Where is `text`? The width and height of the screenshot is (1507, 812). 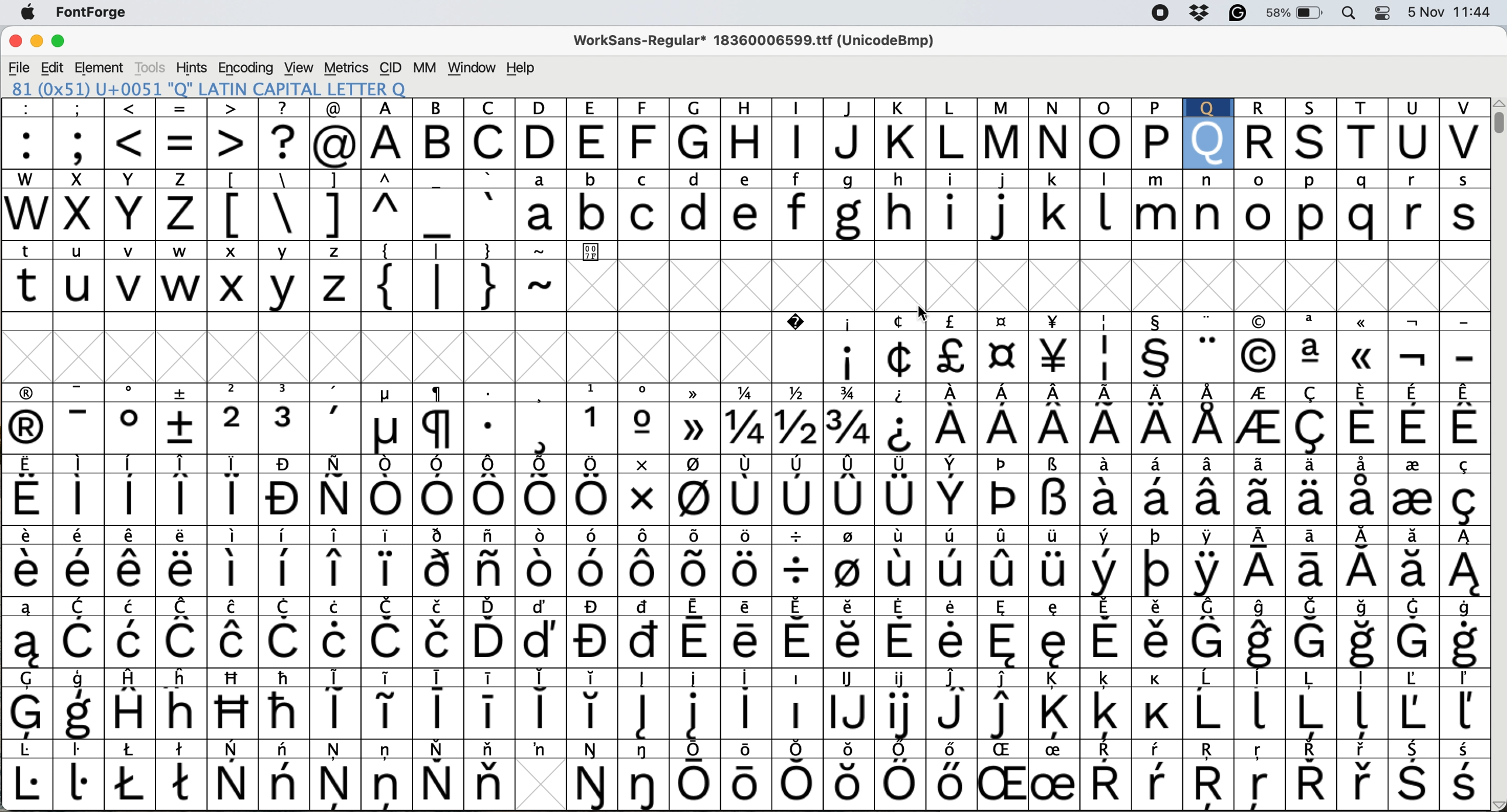 text is located at coordinates (749, 393).